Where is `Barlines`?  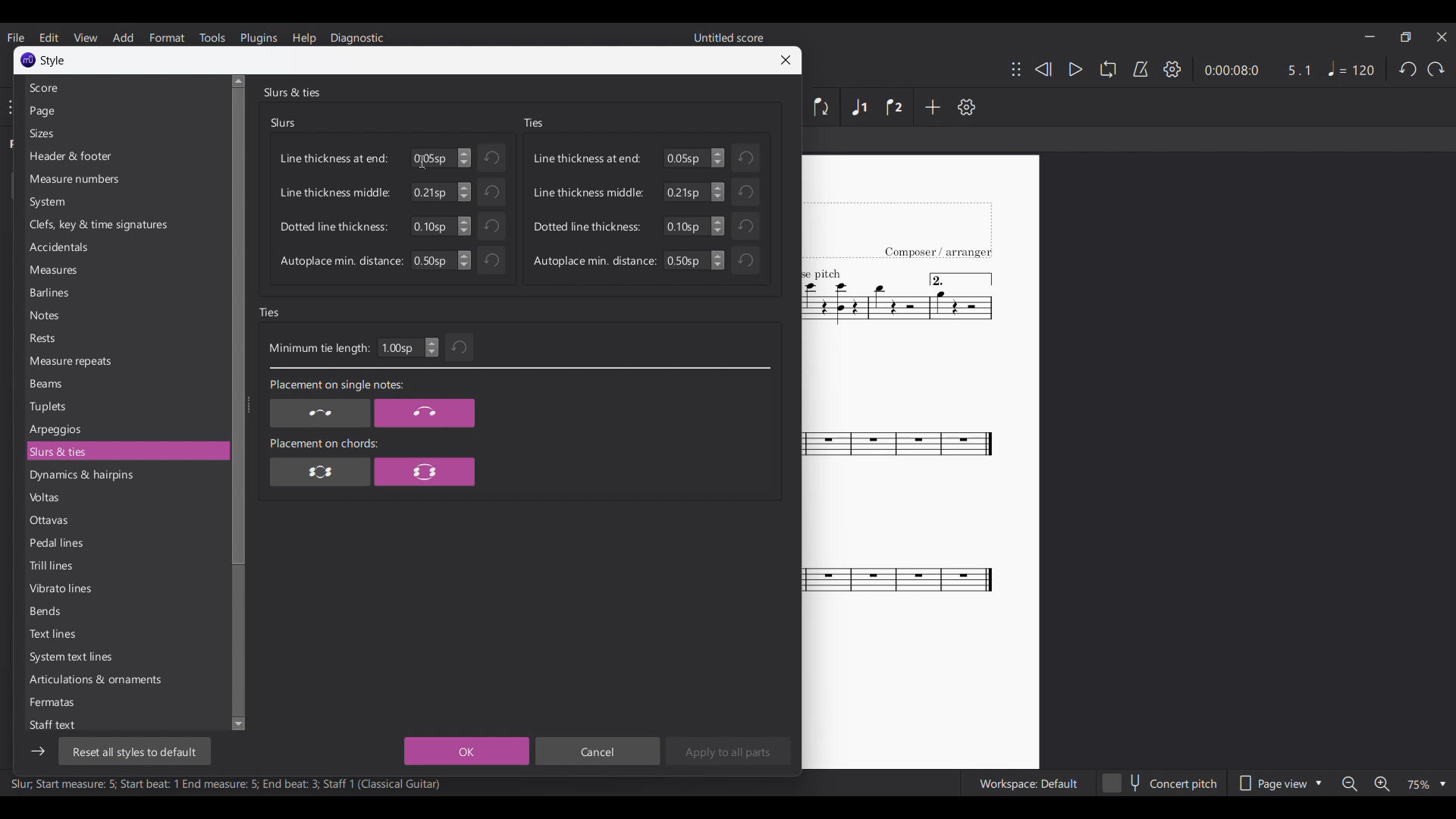
Barlines is located at coordinates (125, 292).